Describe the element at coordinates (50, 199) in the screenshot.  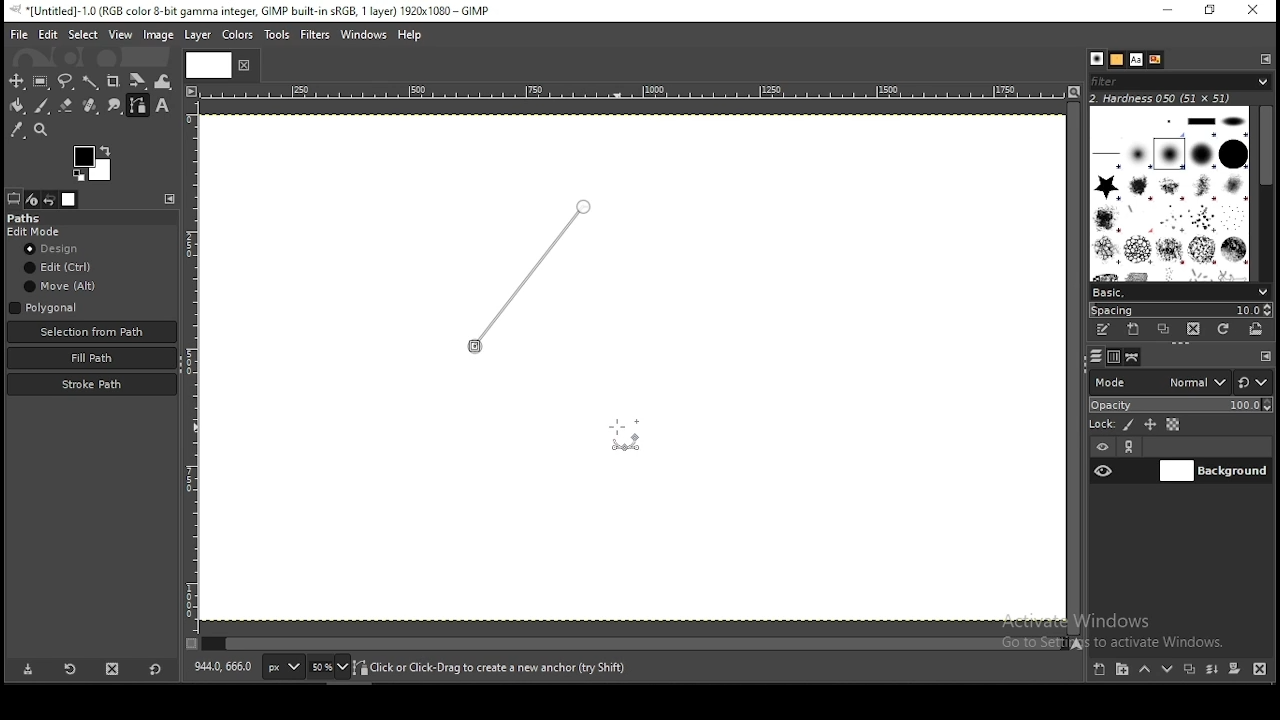
I see `undo history` at that location.